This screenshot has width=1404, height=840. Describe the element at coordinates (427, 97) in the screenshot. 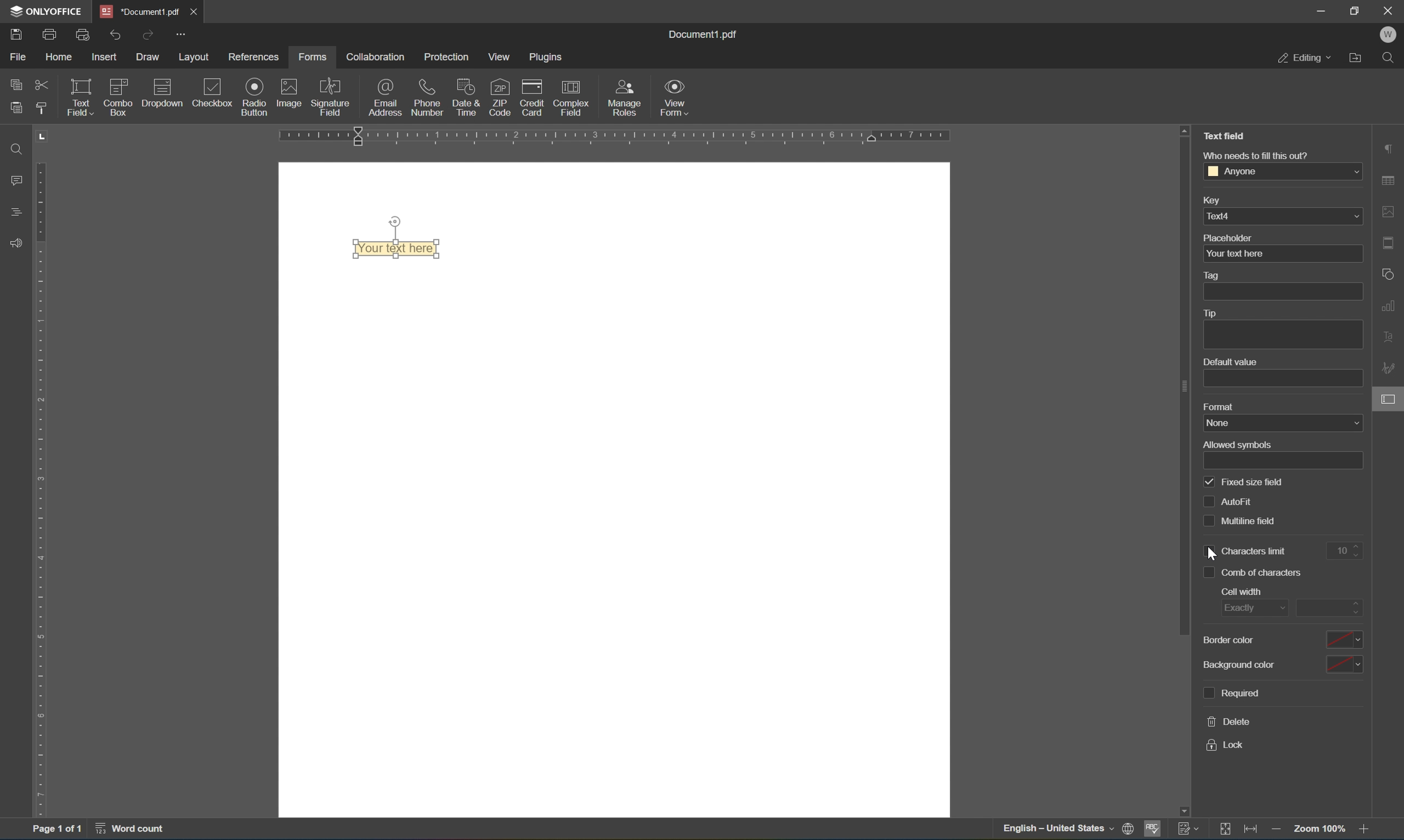

I see `phone number` at that location.